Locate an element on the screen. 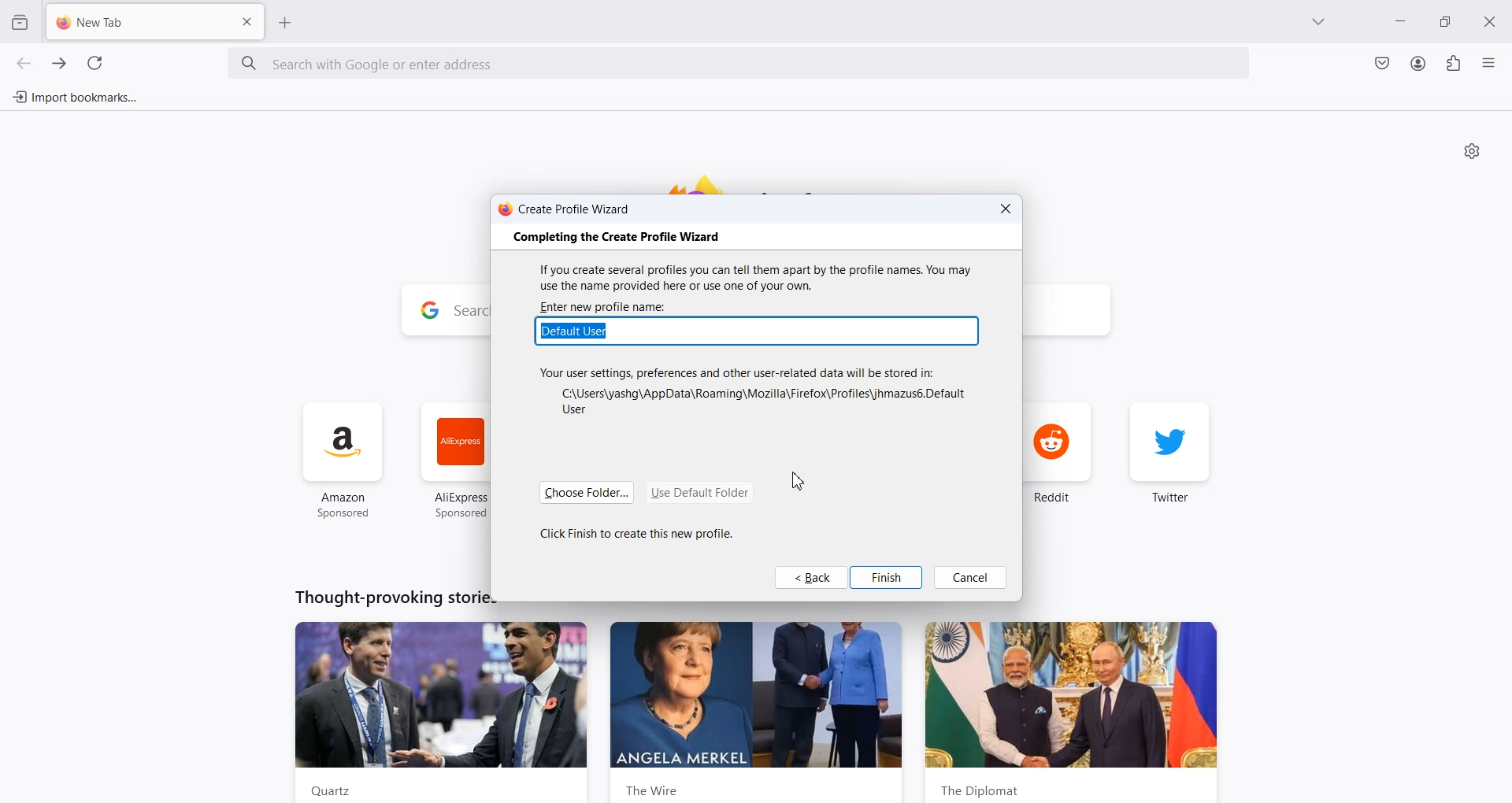 This screenshot has width=1512, height=803. Account is located at coordinates (1418, 63).